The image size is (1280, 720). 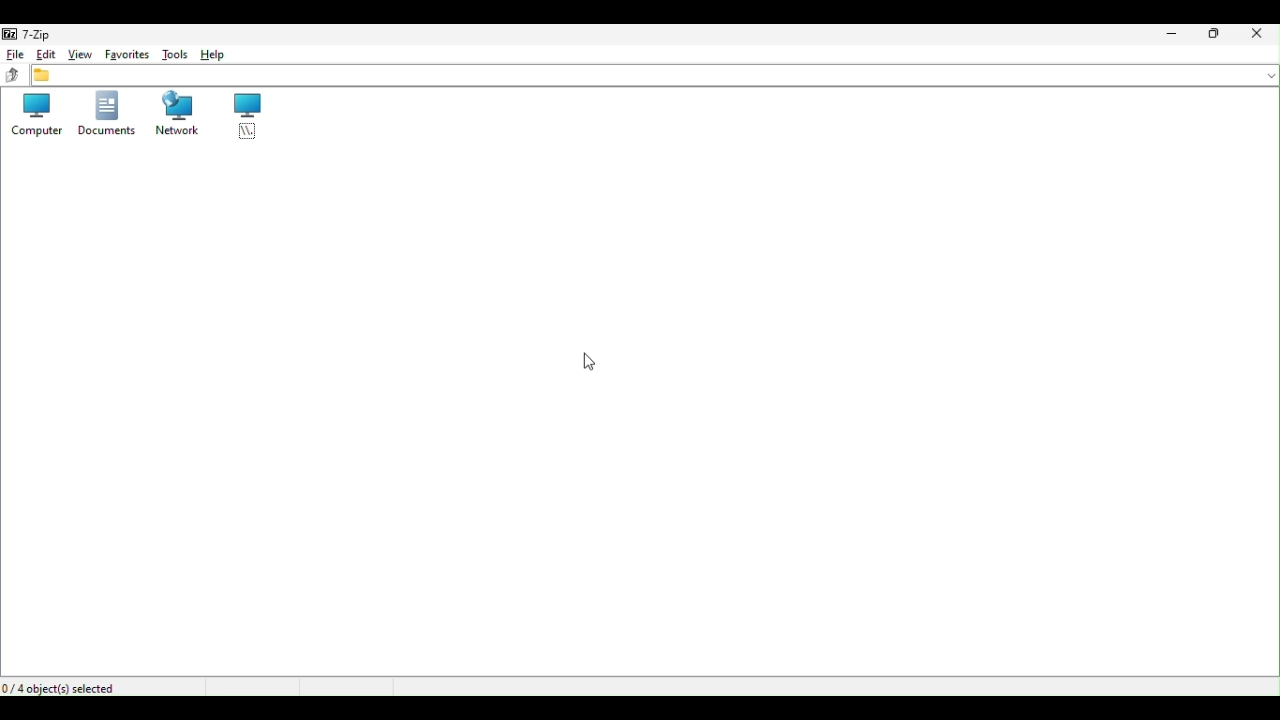 What do you see at coordinates (31, 32) in the screenshot?
I see `7 zip ` at bounding box center [31, 32].